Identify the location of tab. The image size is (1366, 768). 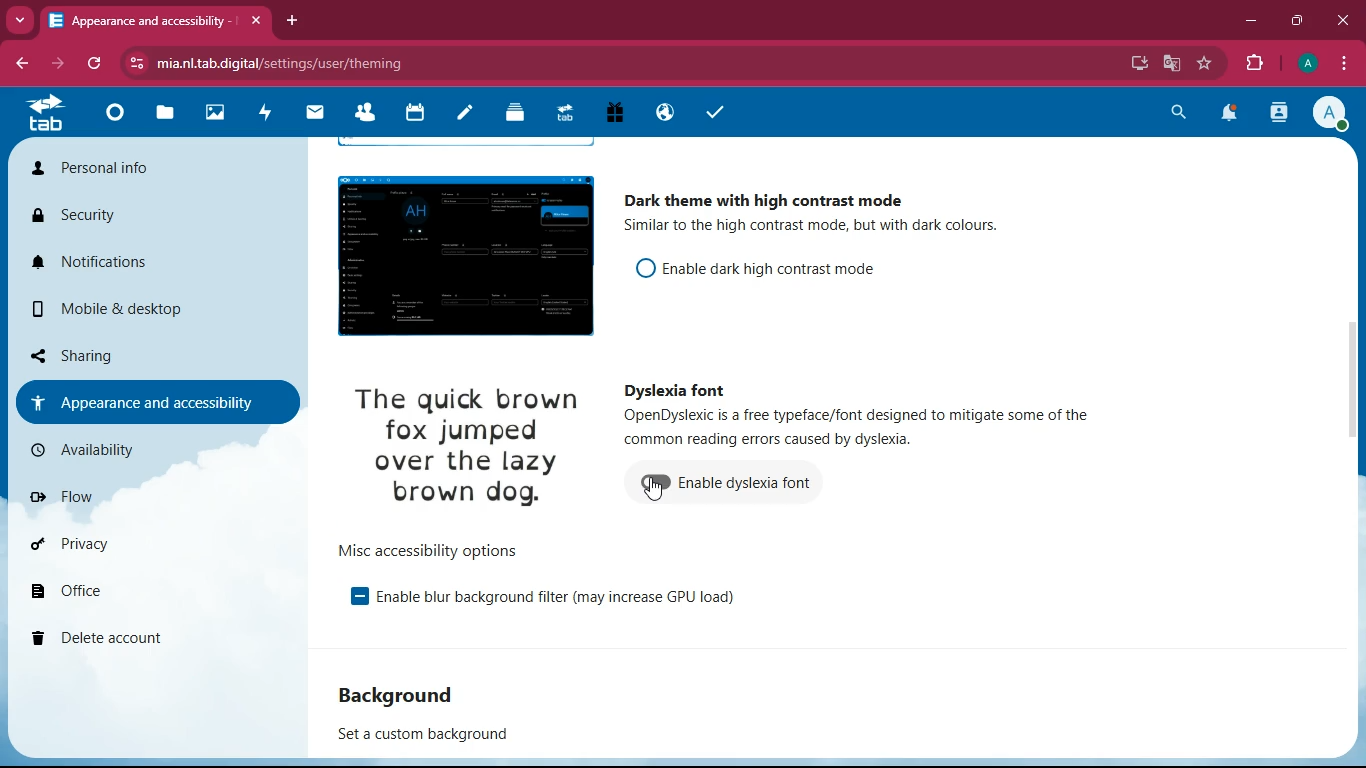
(155, 23).